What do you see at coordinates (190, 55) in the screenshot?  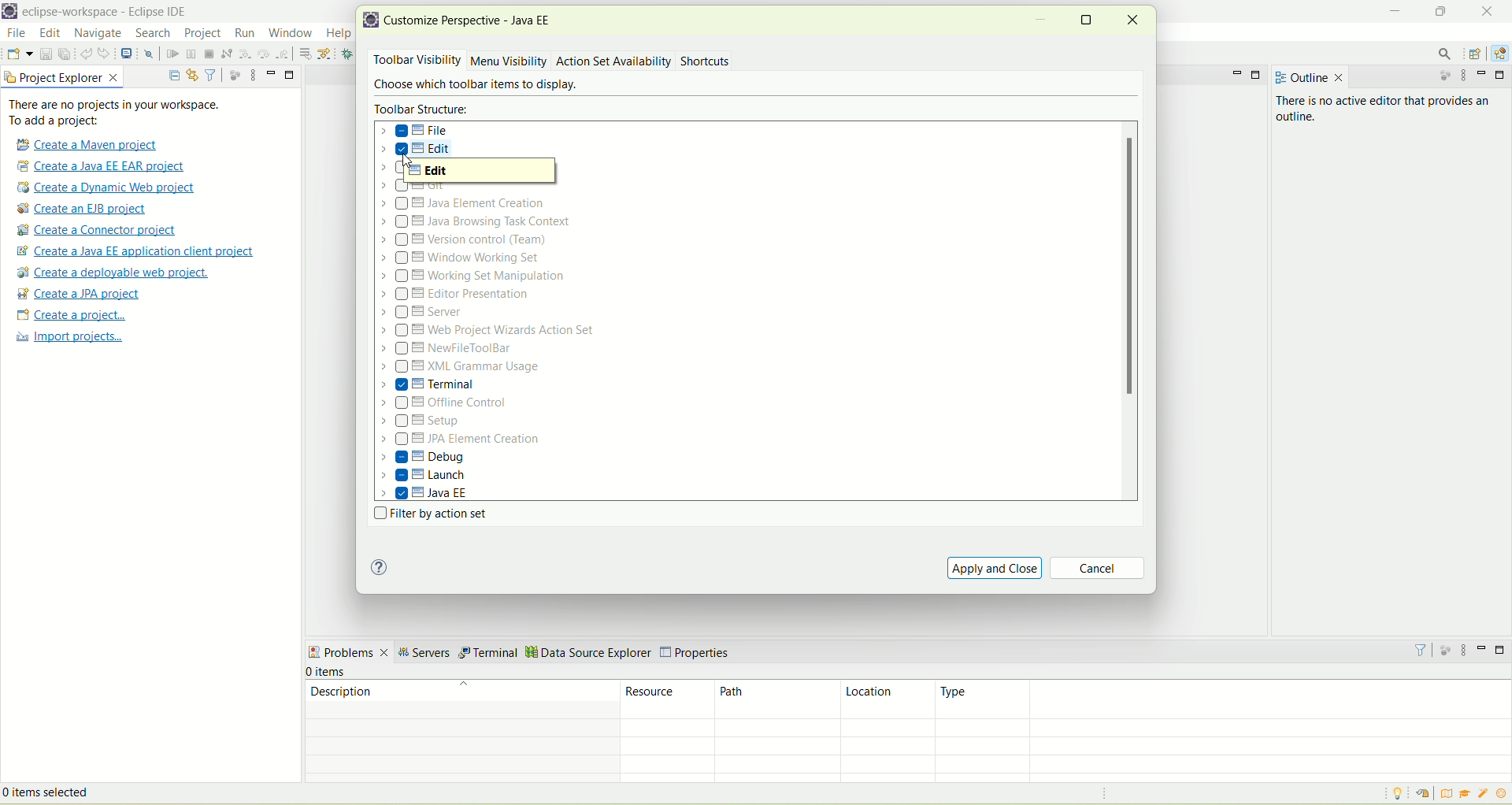 I see `suspend` at bounding box center [190, 55].